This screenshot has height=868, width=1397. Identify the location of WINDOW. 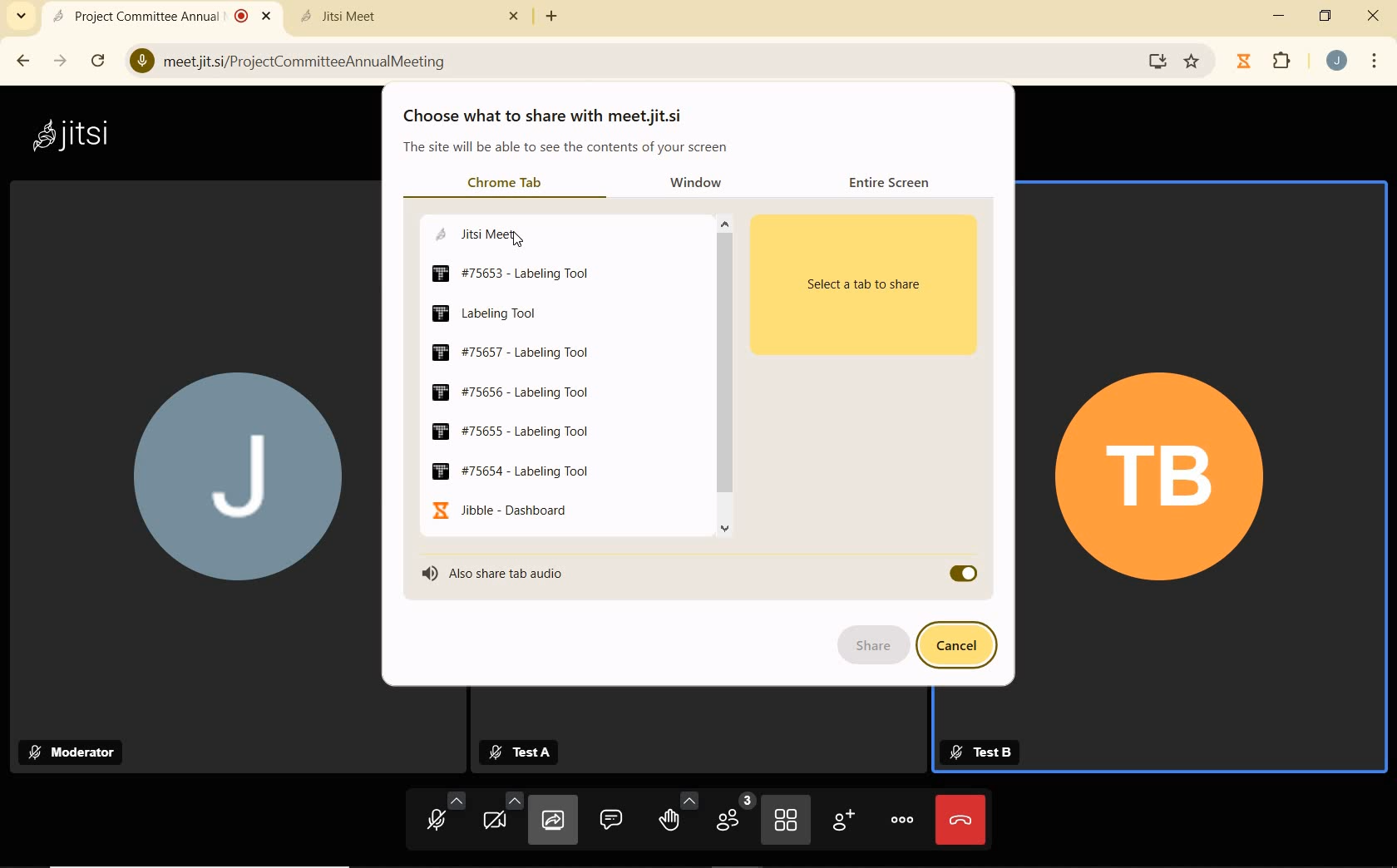
(705, 184).